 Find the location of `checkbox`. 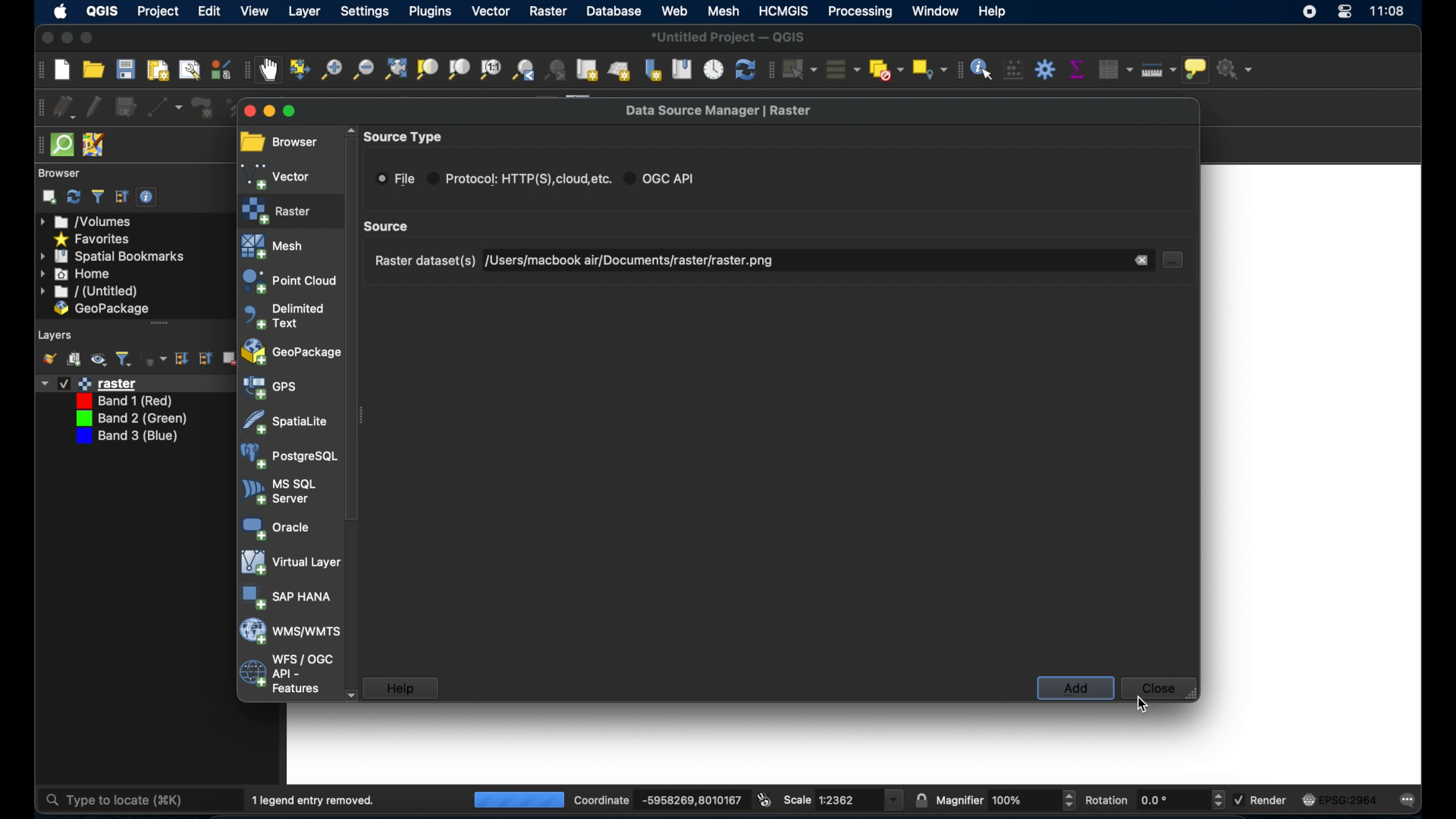

checkbox is located at coordinates (1238, 799).